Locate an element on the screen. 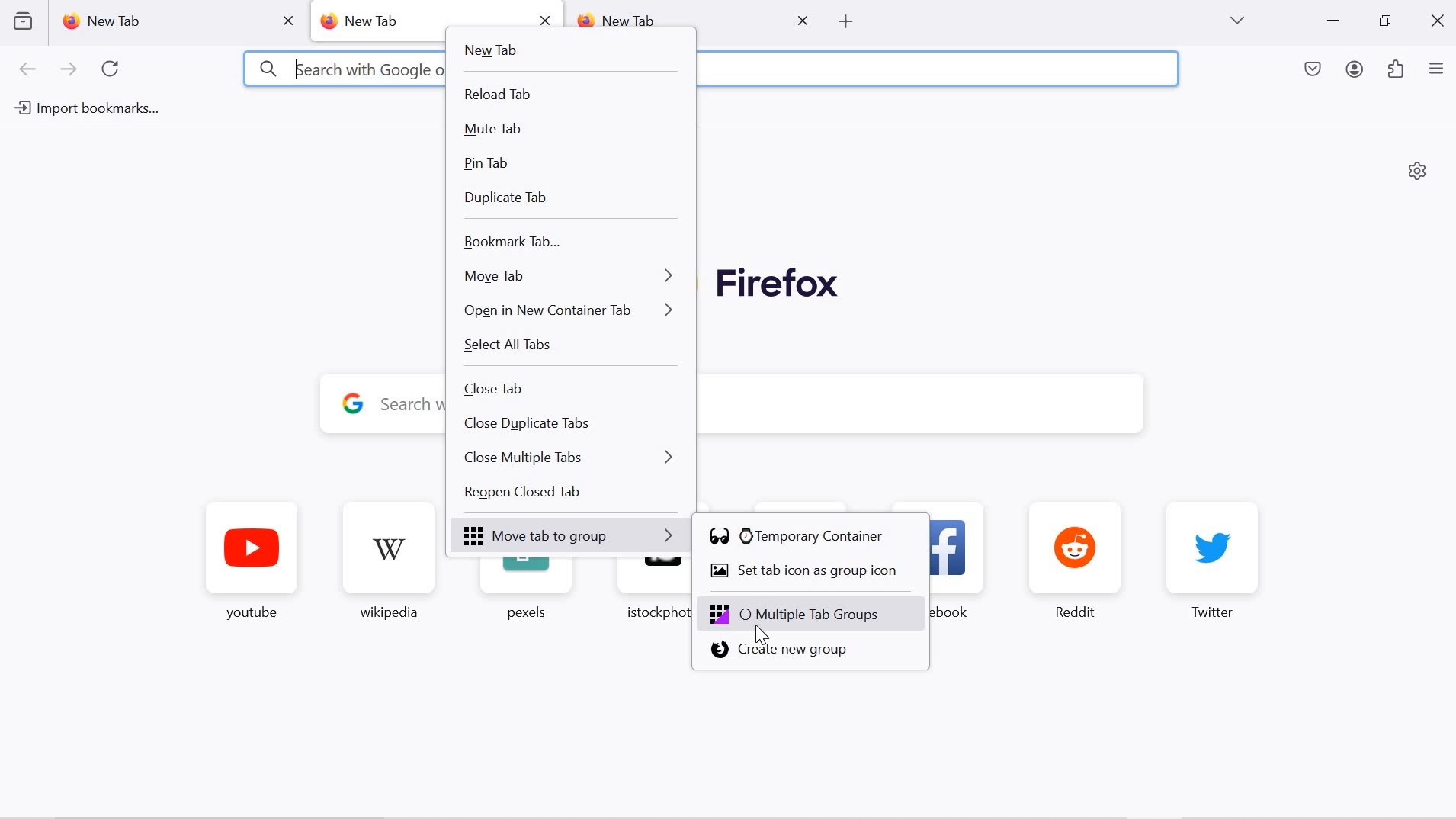 The height and width of the screenshot is (819, 1456). close duplicate tabs is located at coordinates (572, 427).